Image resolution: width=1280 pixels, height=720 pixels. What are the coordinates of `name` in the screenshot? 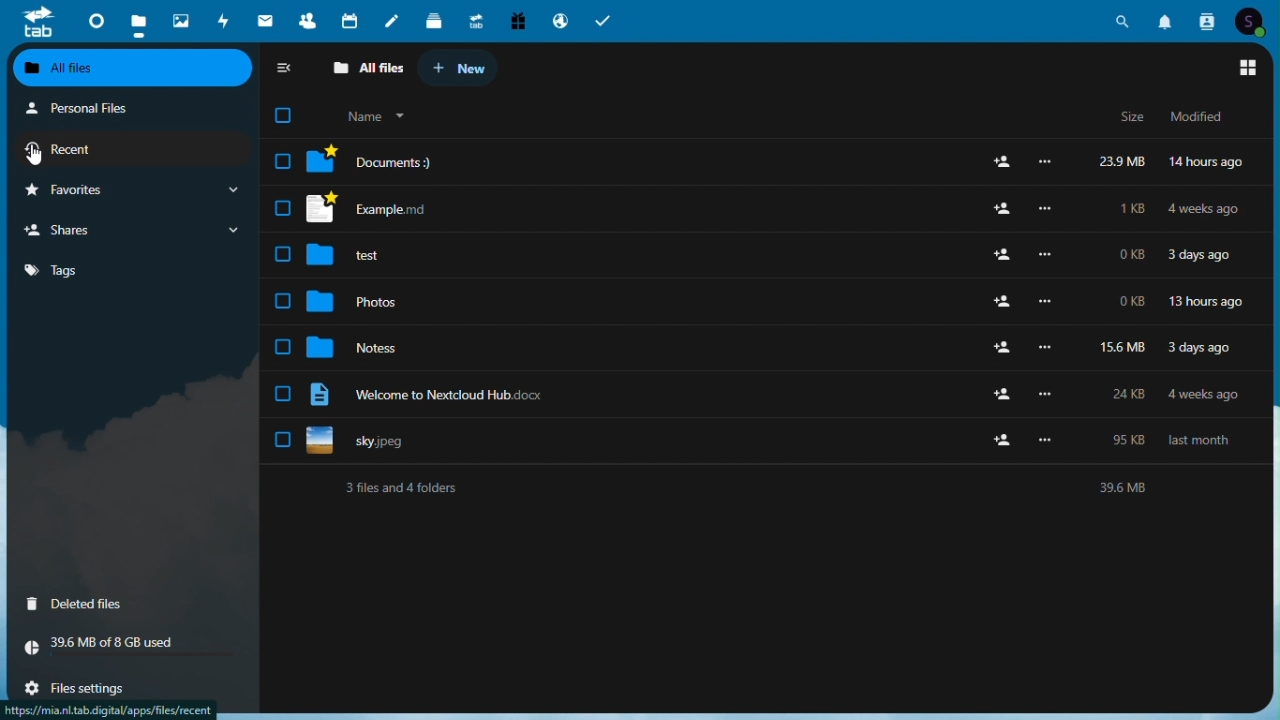 It's located at (381, 114).